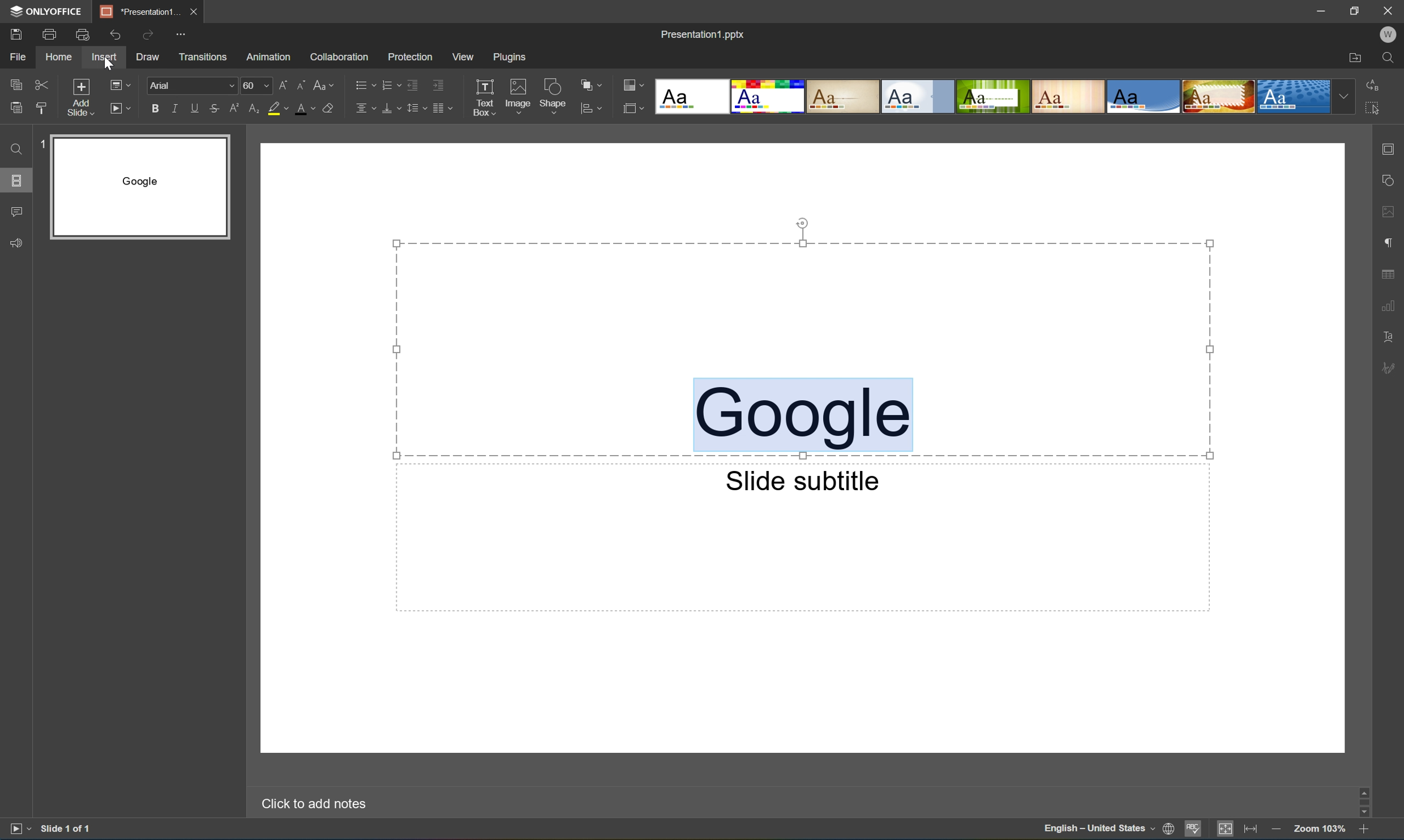 The width and height of the screenshot is (1404, 840). I want to click on Animation, so click(272, 57).